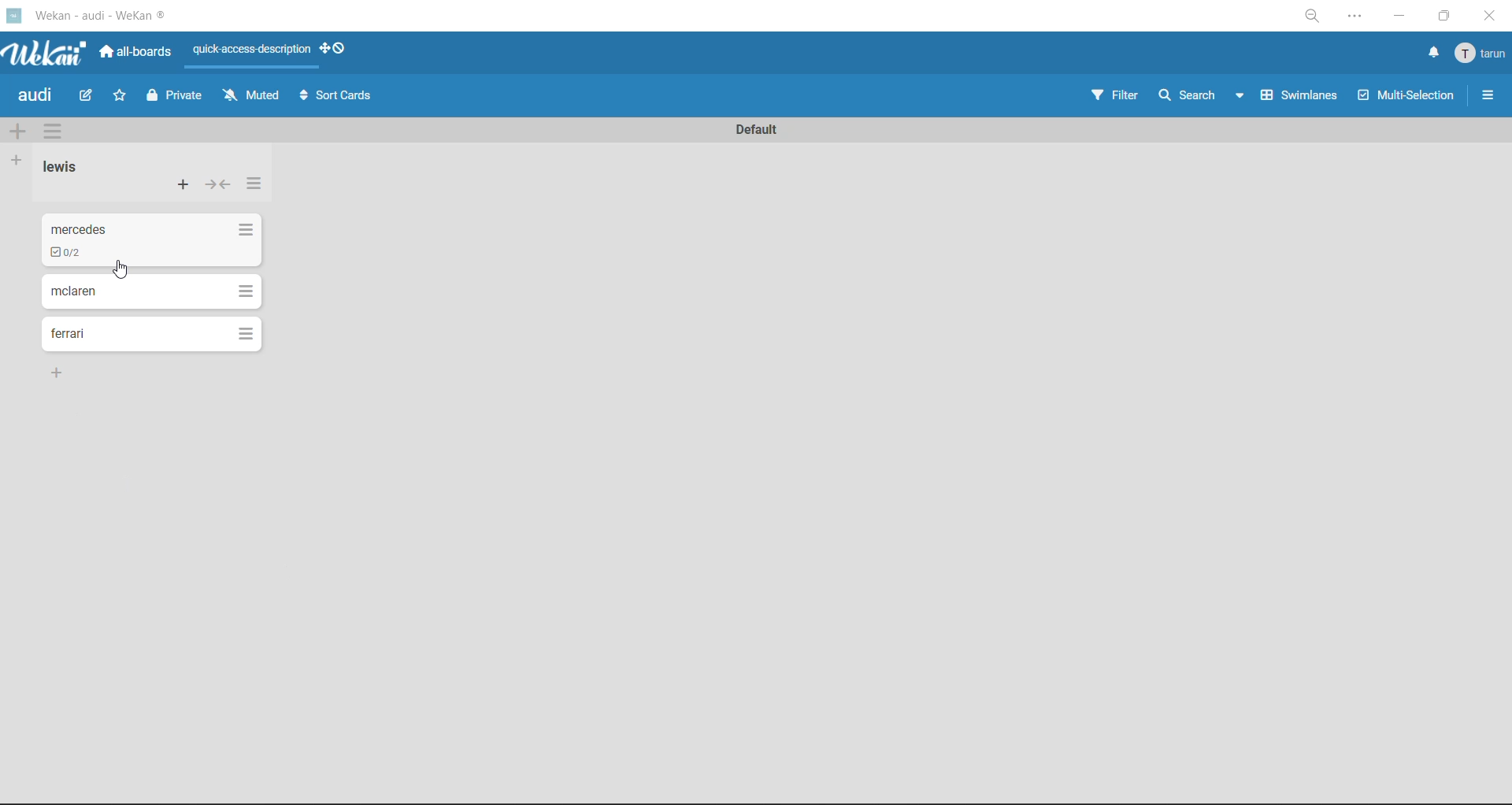 Image resolution: width=1512 pixels, height=805 pixels. I want to click on Wekan - audi - WeKan, so click(98, 17).